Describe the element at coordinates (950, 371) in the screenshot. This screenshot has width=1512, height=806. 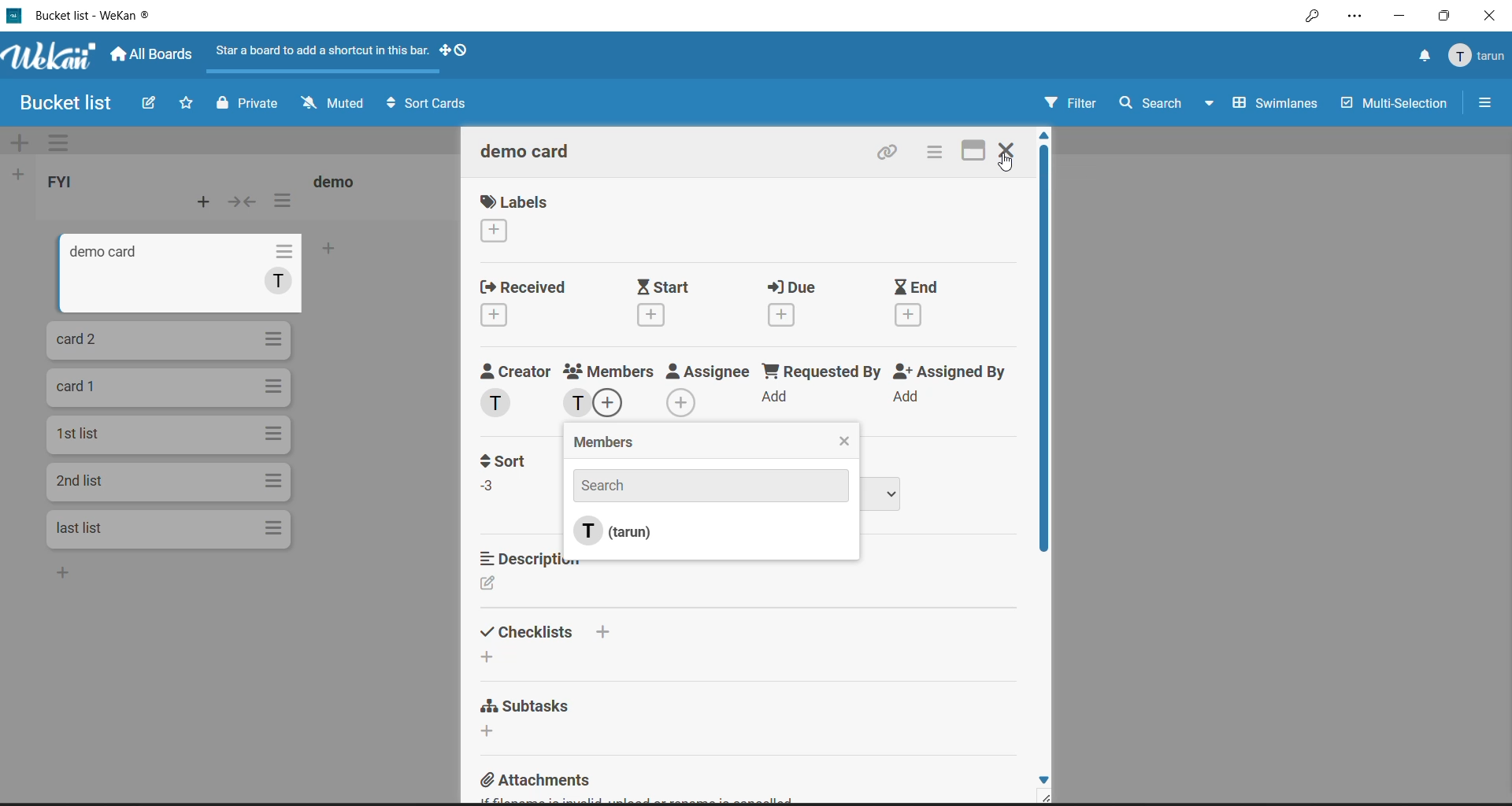
I see `assigned by` at that location.